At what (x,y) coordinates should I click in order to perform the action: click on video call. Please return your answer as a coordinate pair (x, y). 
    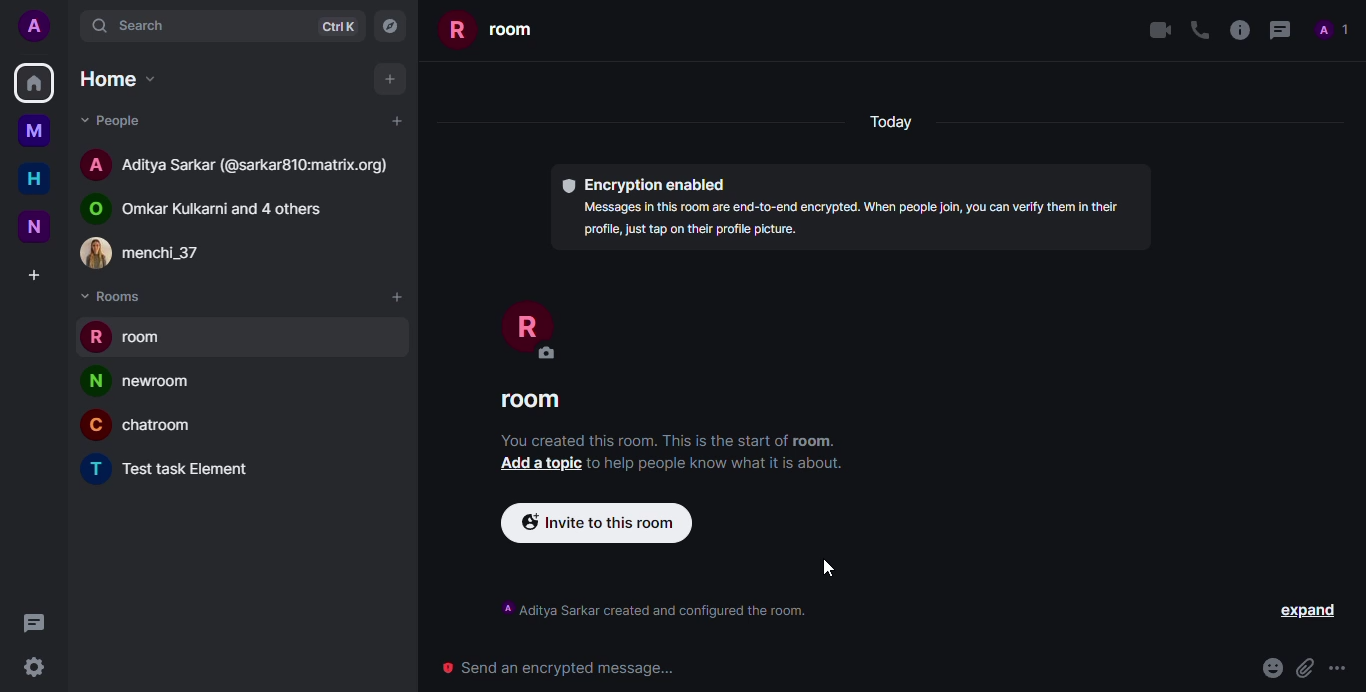
    Looking at the image, I should click on (1155, 31).